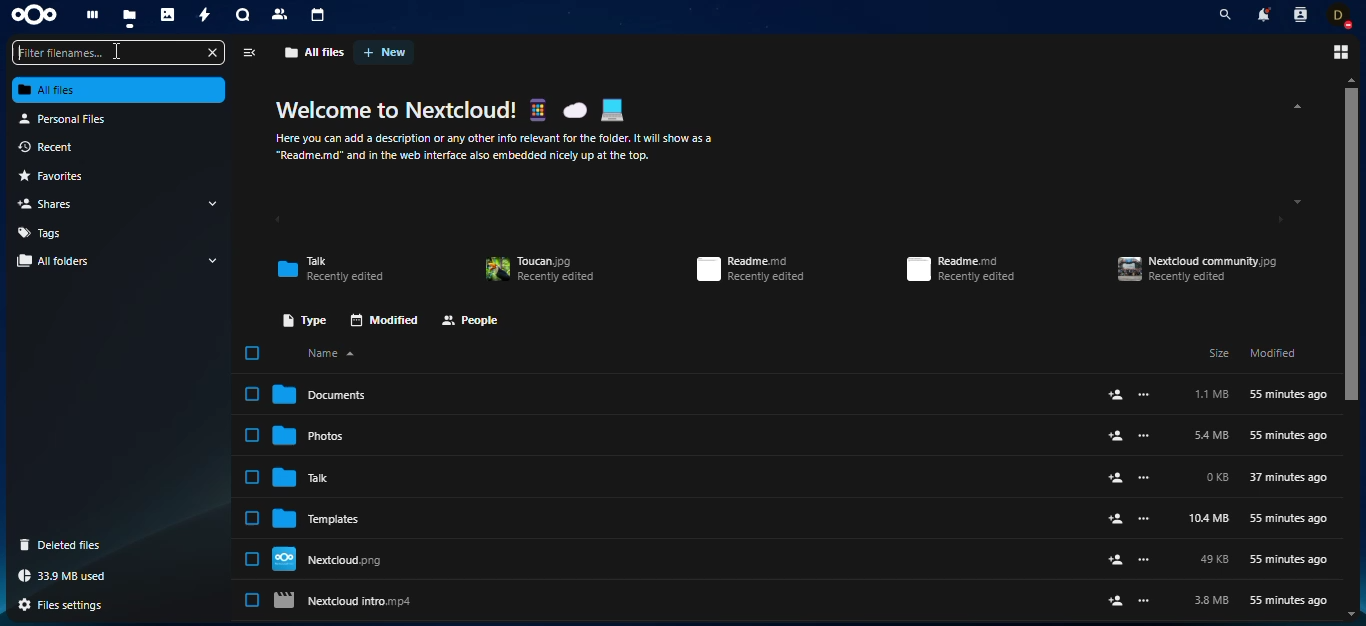  What do you see at coordinates (335, 353) in the screenshot?
I see `name` at bounding box center [335, 353].